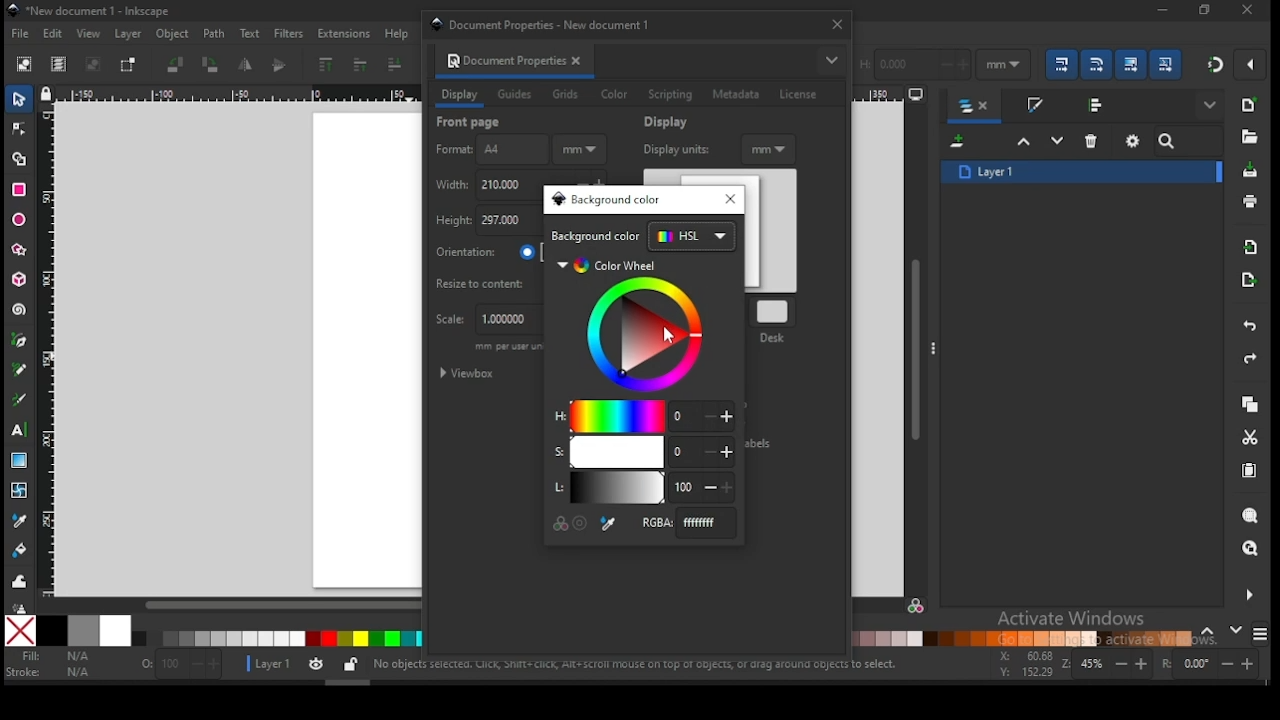  What do you see at coordinates (249, 33) in the screenshot?
I see `text` at bounding box center [249, 33].